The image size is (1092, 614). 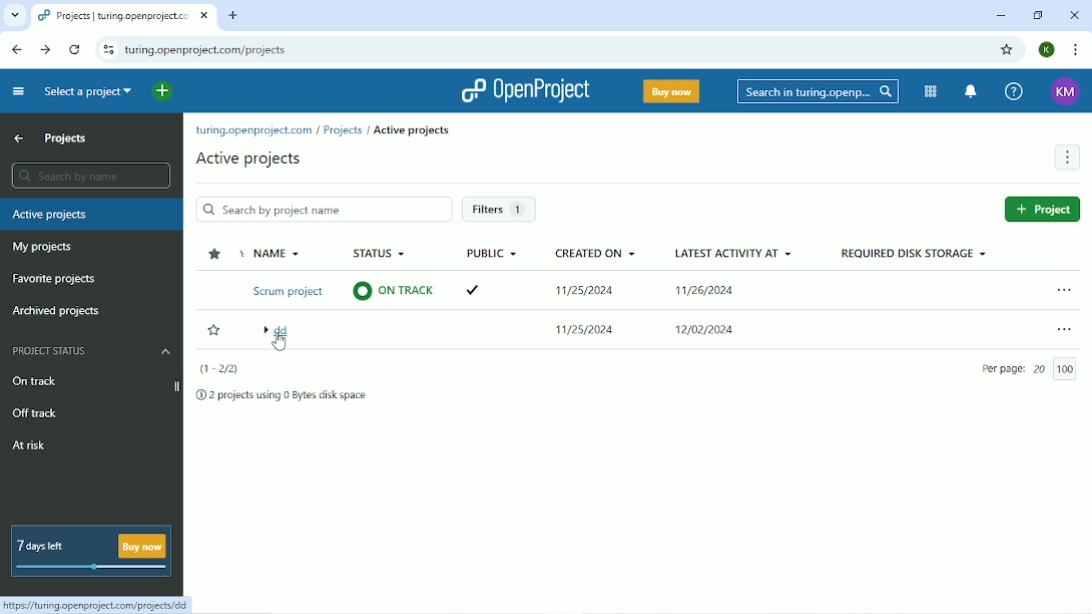 I want to click on Minimize, so click(x=1001, y=16).